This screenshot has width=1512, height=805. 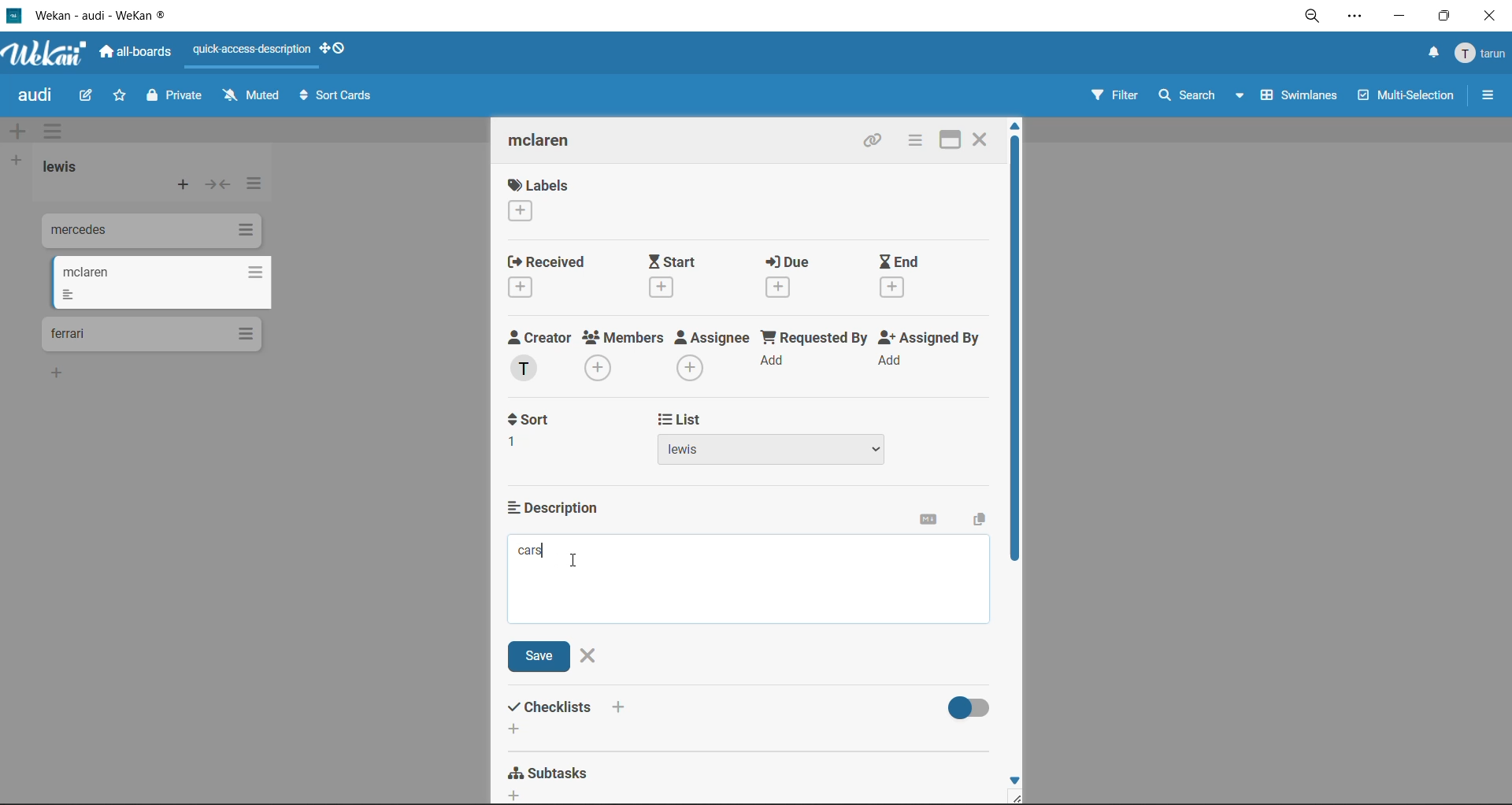 What do you see at coordinates (915, 278) in the screenshot?
I see `end` at bounding box center [915, 278].